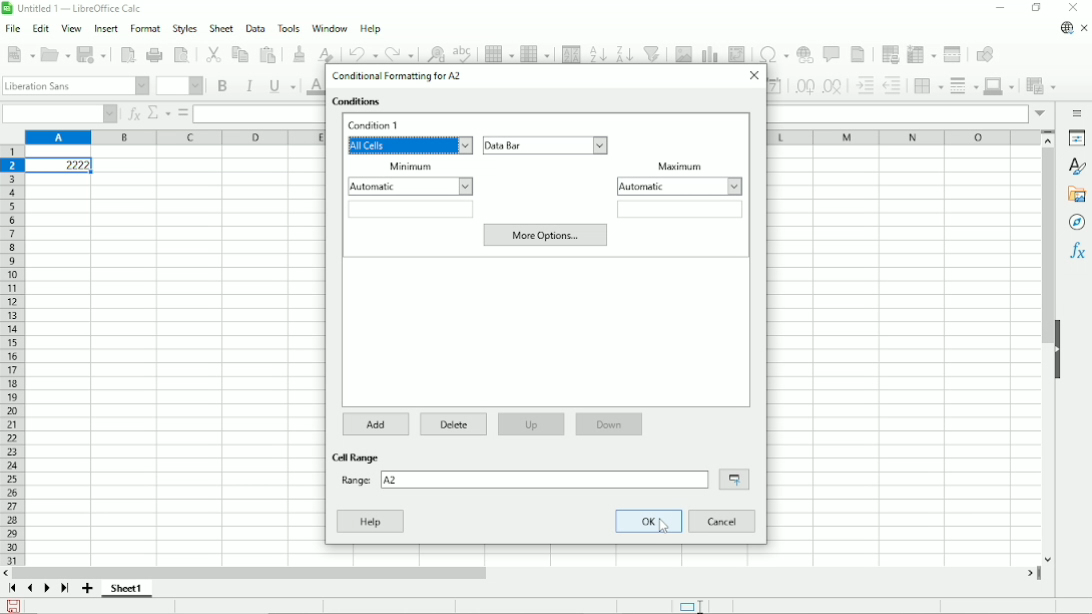  What do you see at coordinates (598, 53) in the screenshot?
I see `Sort ascending` at bounding box center [598, 53].